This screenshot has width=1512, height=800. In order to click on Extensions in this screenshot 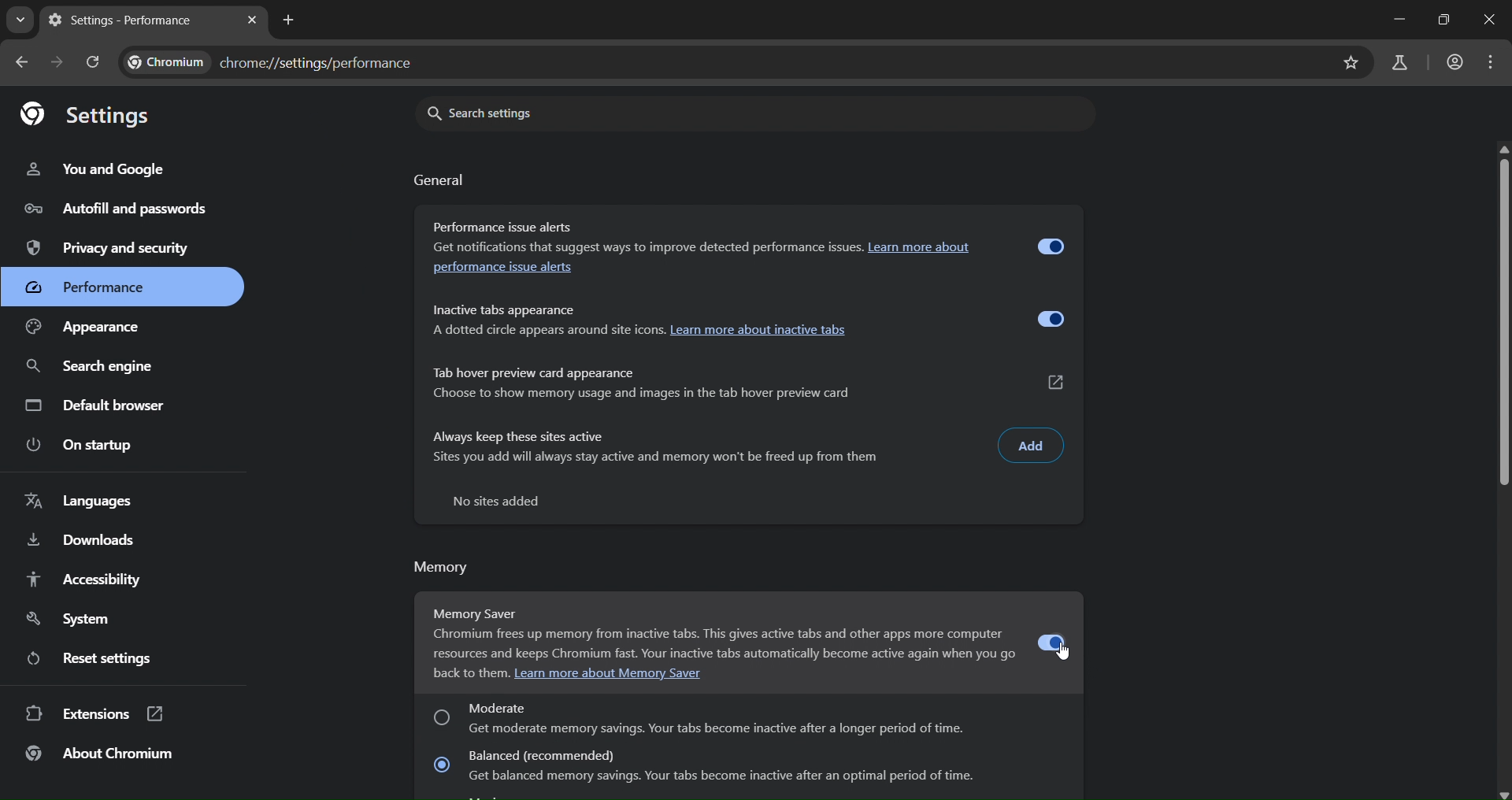, I will do `click(90, 713)`.